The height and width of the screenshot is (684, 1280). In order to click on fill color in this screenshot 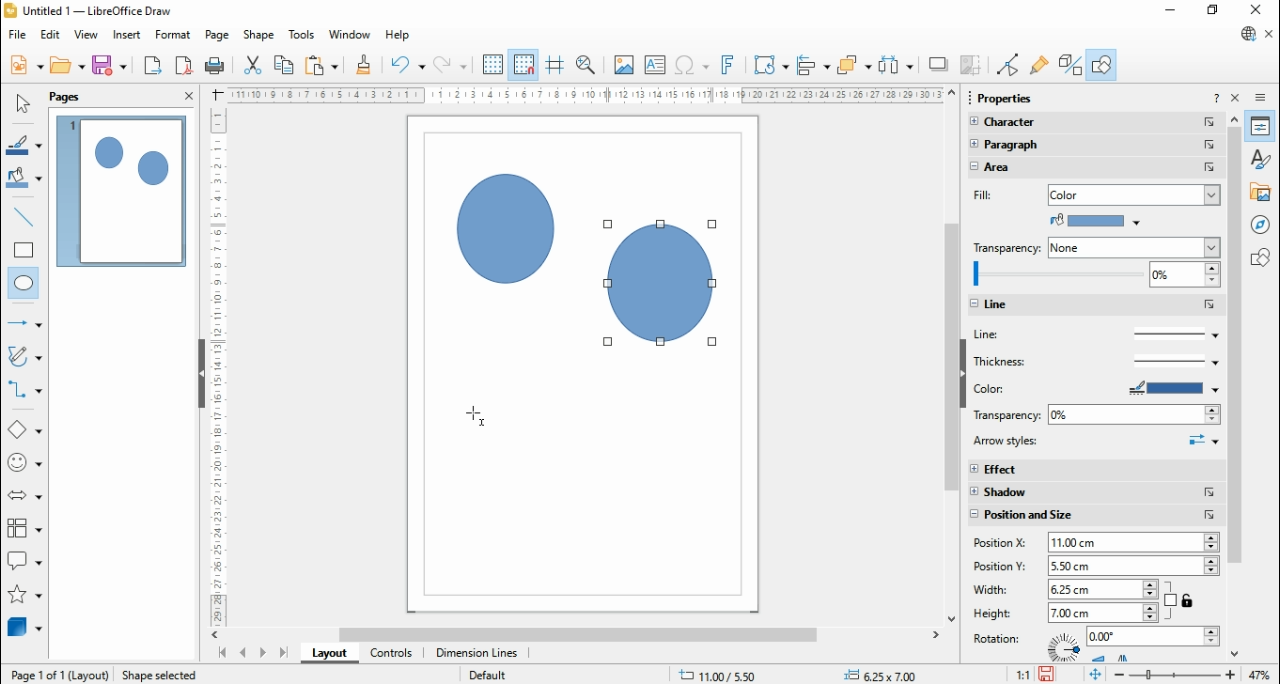, I will do `click(989, 196)`.